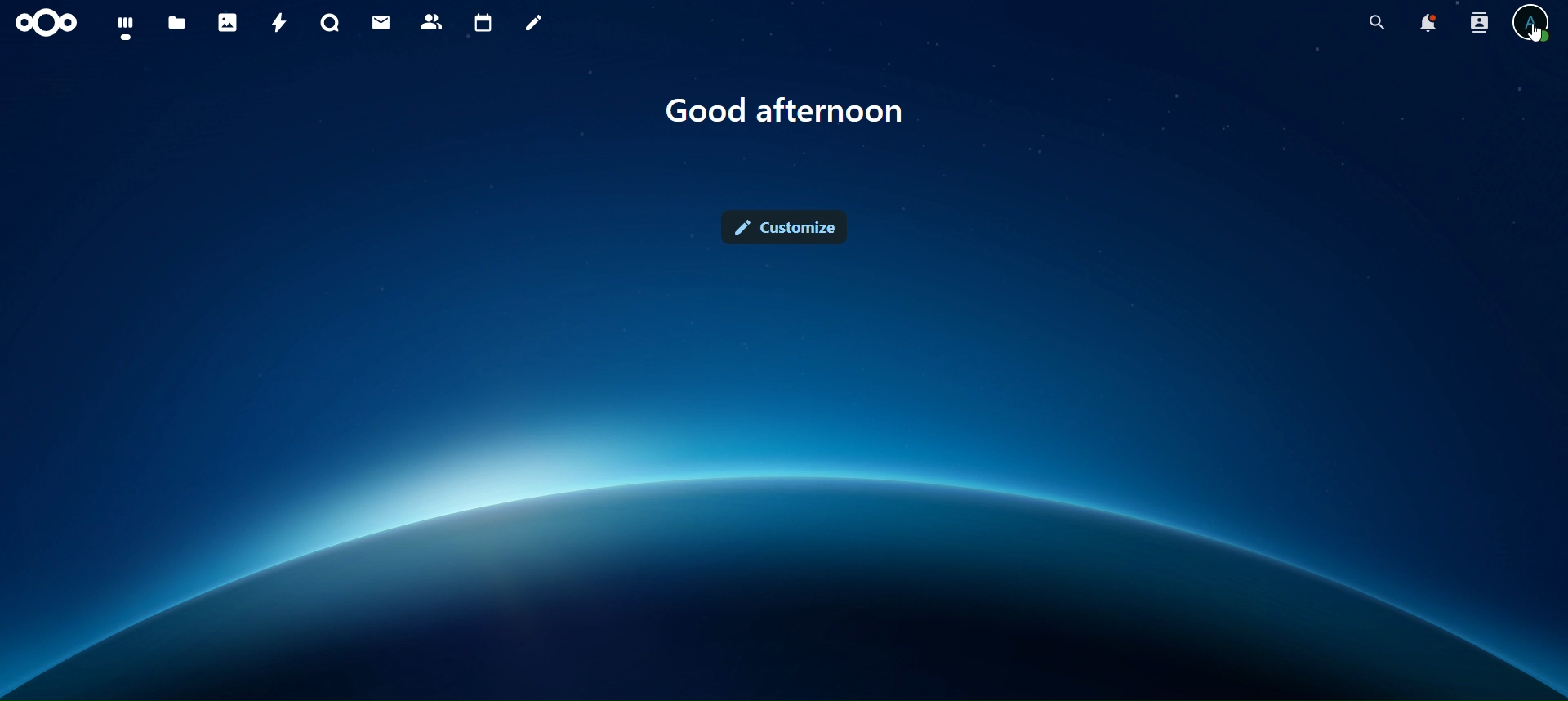 This screenshot has height=701, width=1568. Describe the element at coordinates (433, 22) in the screenshot. I see `contact` at that location.